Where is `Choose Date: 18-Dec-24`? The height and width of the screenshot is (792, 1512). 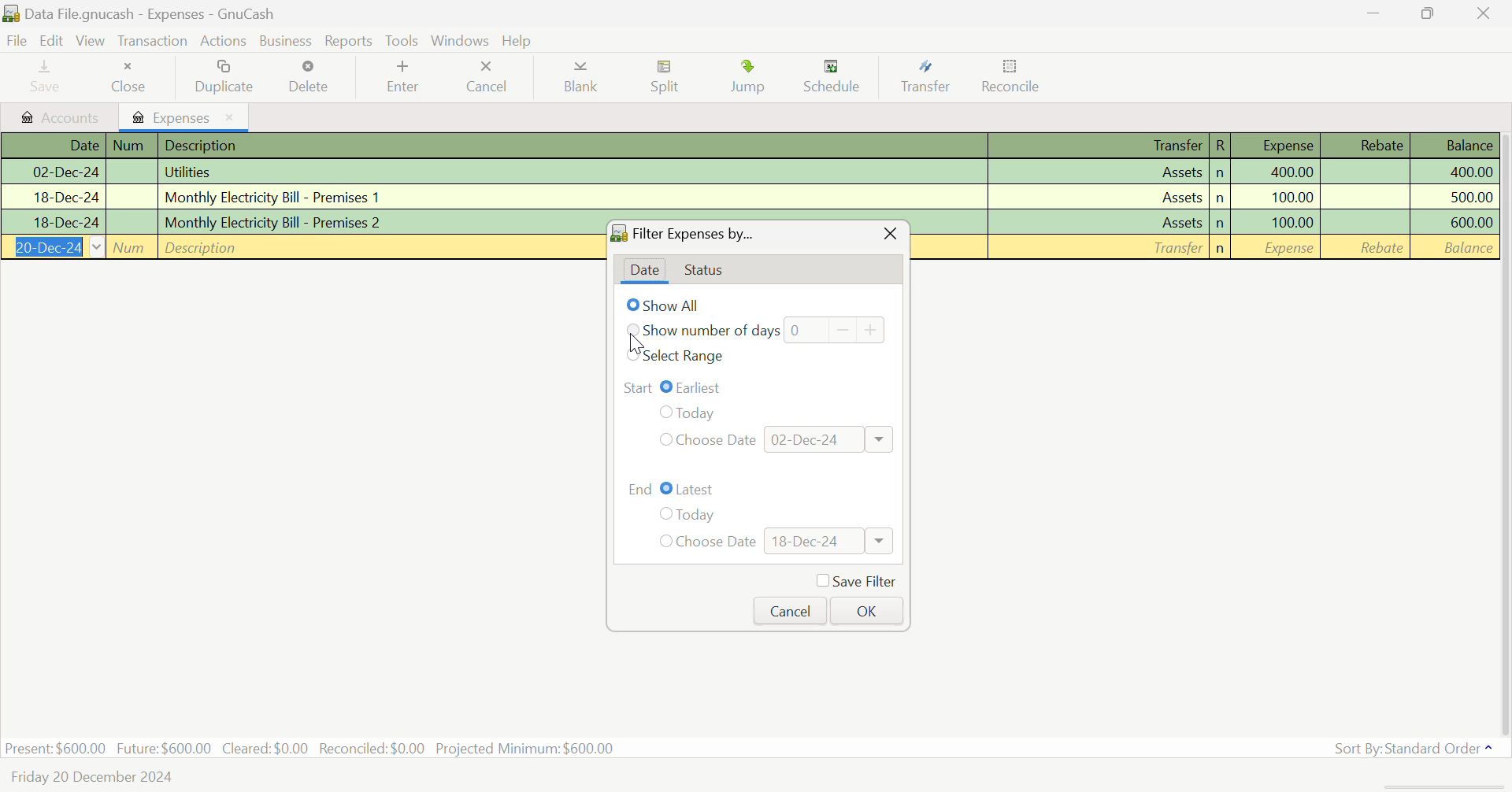
Choose Date: 18-Dec-24 is located at coordinates (776, 542).